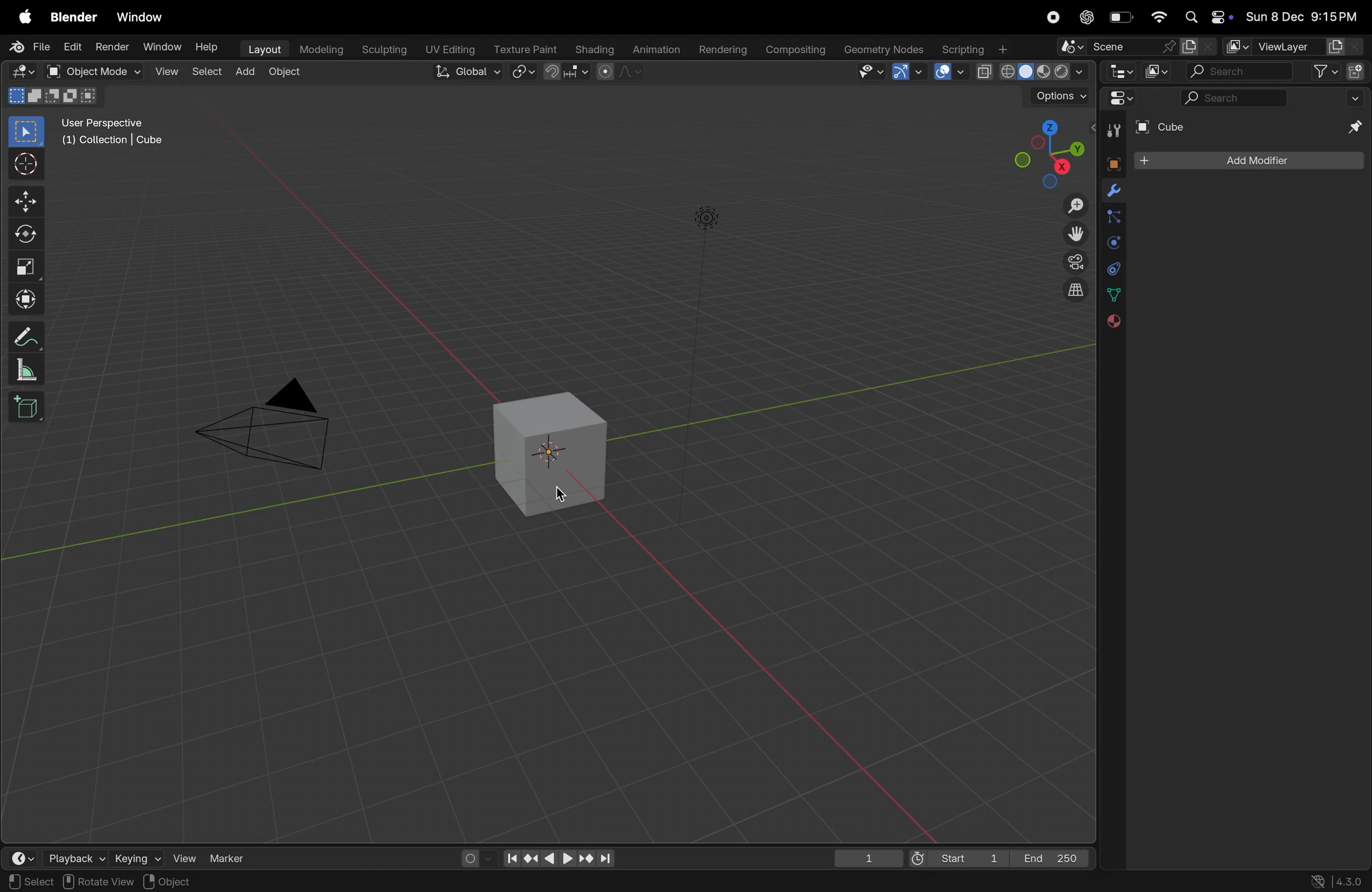 The image size is (1372, 892). I want to click on object, so click(290, 74).